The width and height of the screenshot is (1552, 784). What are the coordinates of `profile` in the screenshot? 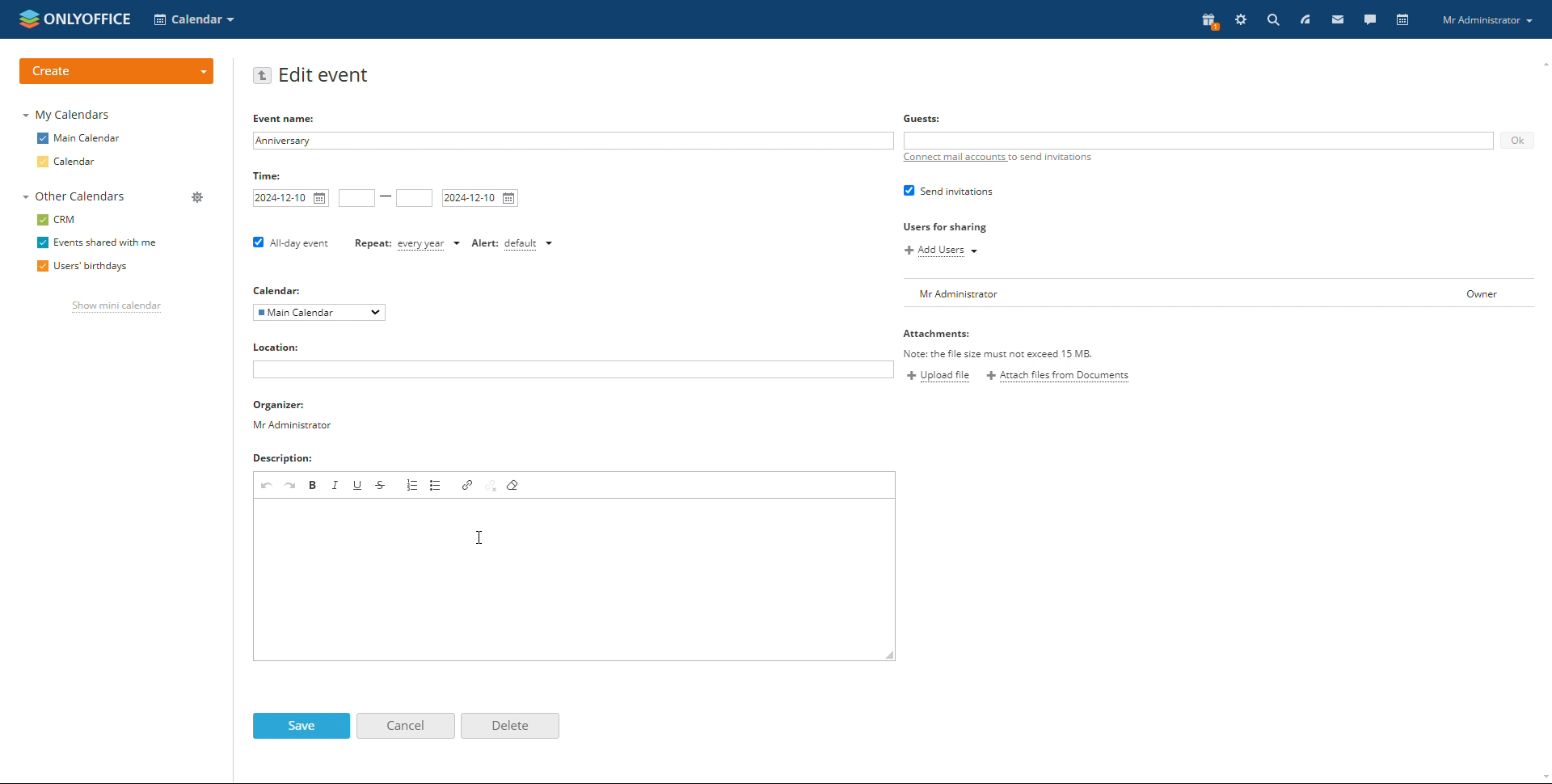 It's located at (1487, 19).